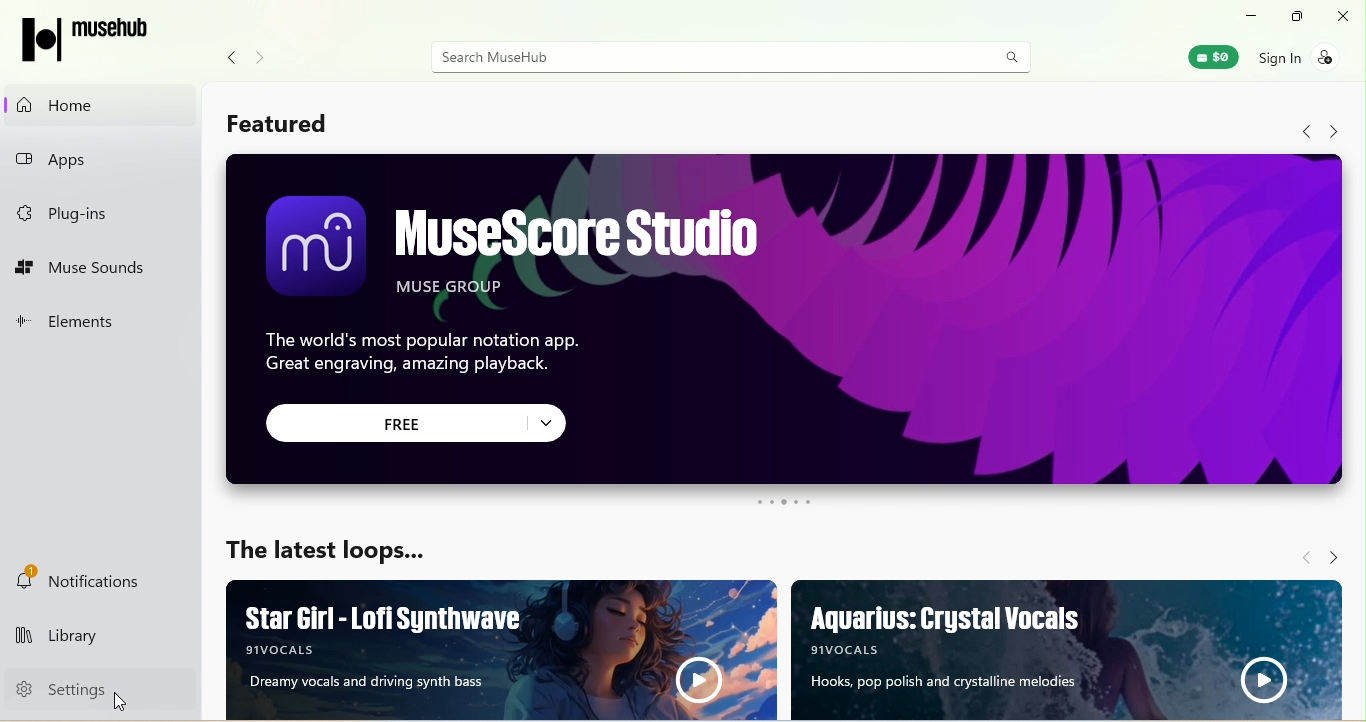 The width and height of the screenshot is (1366, 722). What do you see at coordinates (844, 650) in the screenshot?
I see `| 9wocais` at bounding box center [844, 650].